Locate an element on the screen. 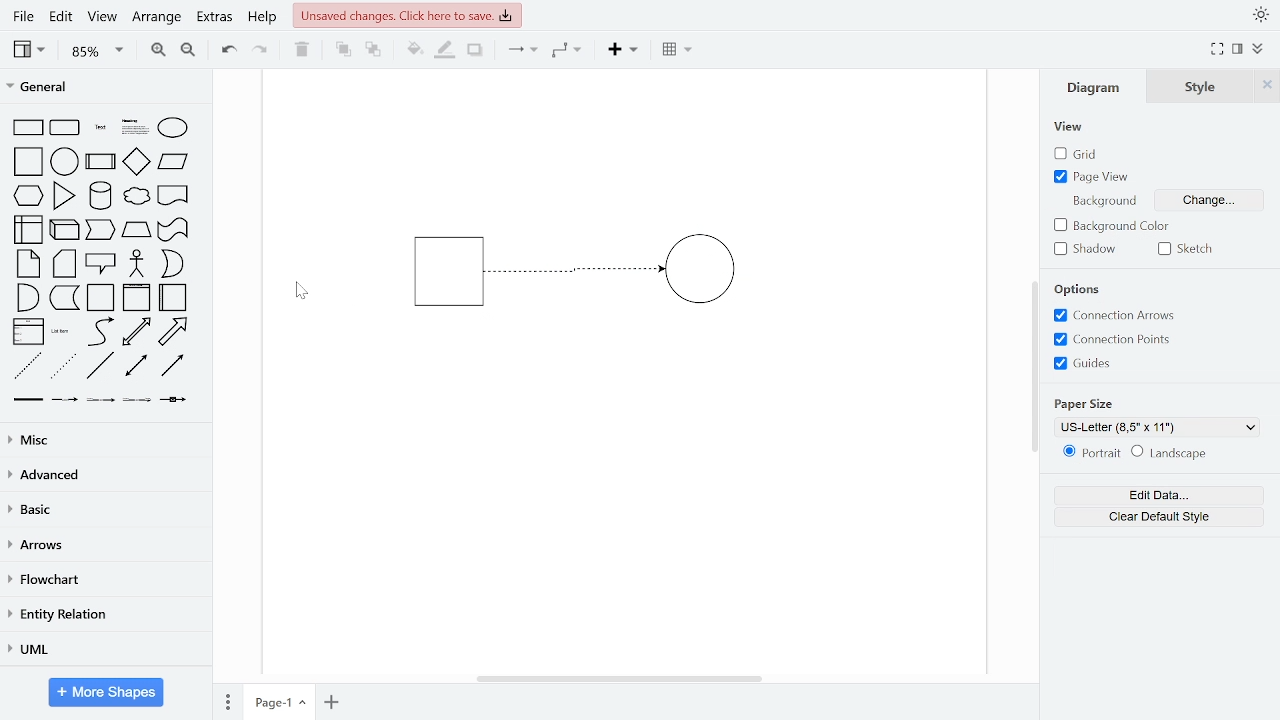 Image resolution: width=1280 pixels, height=720 pixels. fill color is located at coordinates (415, 50).